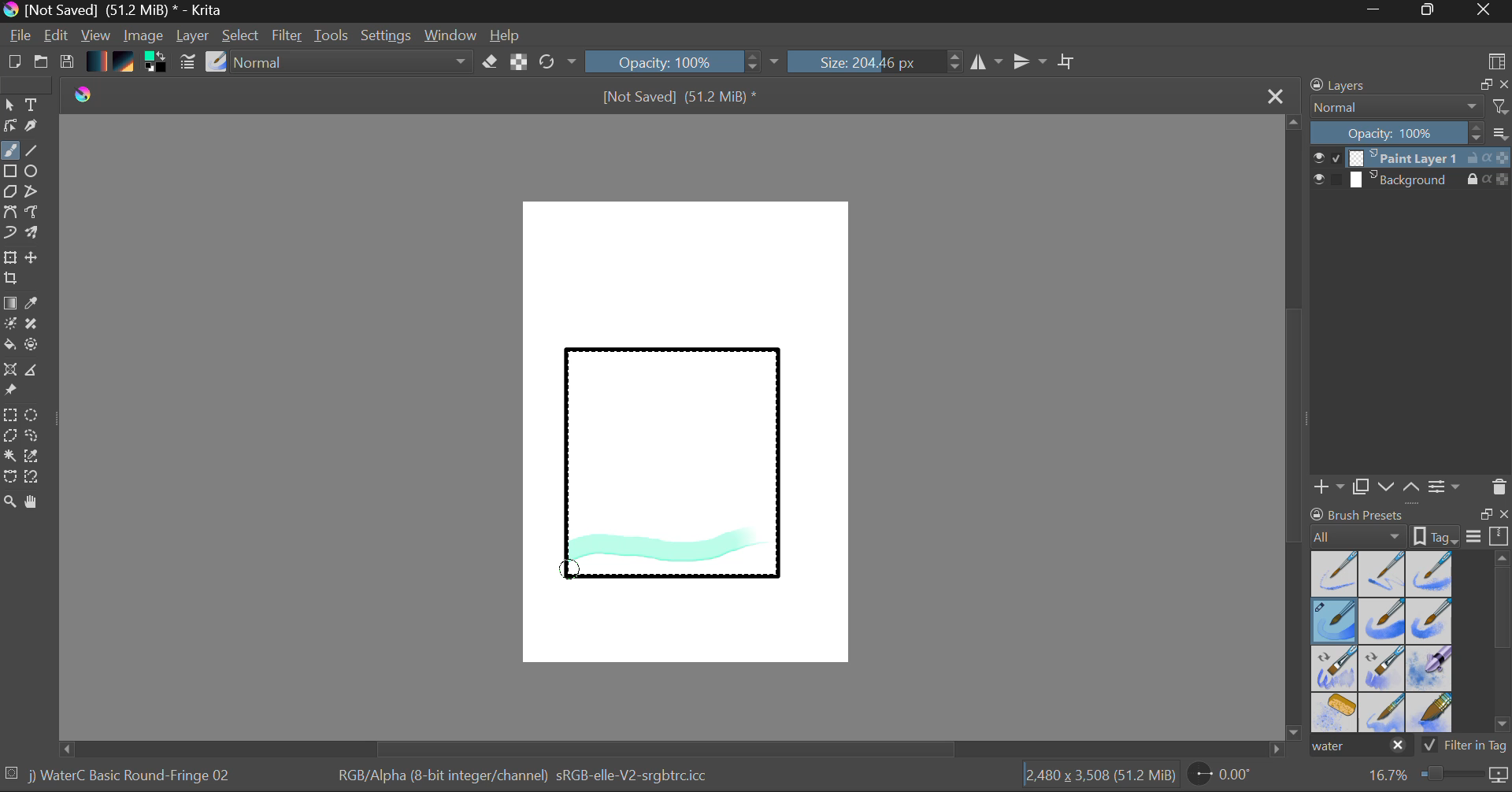  What do you see at coordinates (572, 576) in the screenshot?
I see `MOUSE_DOWN Stroke 2` at bounding box center [572, 576].